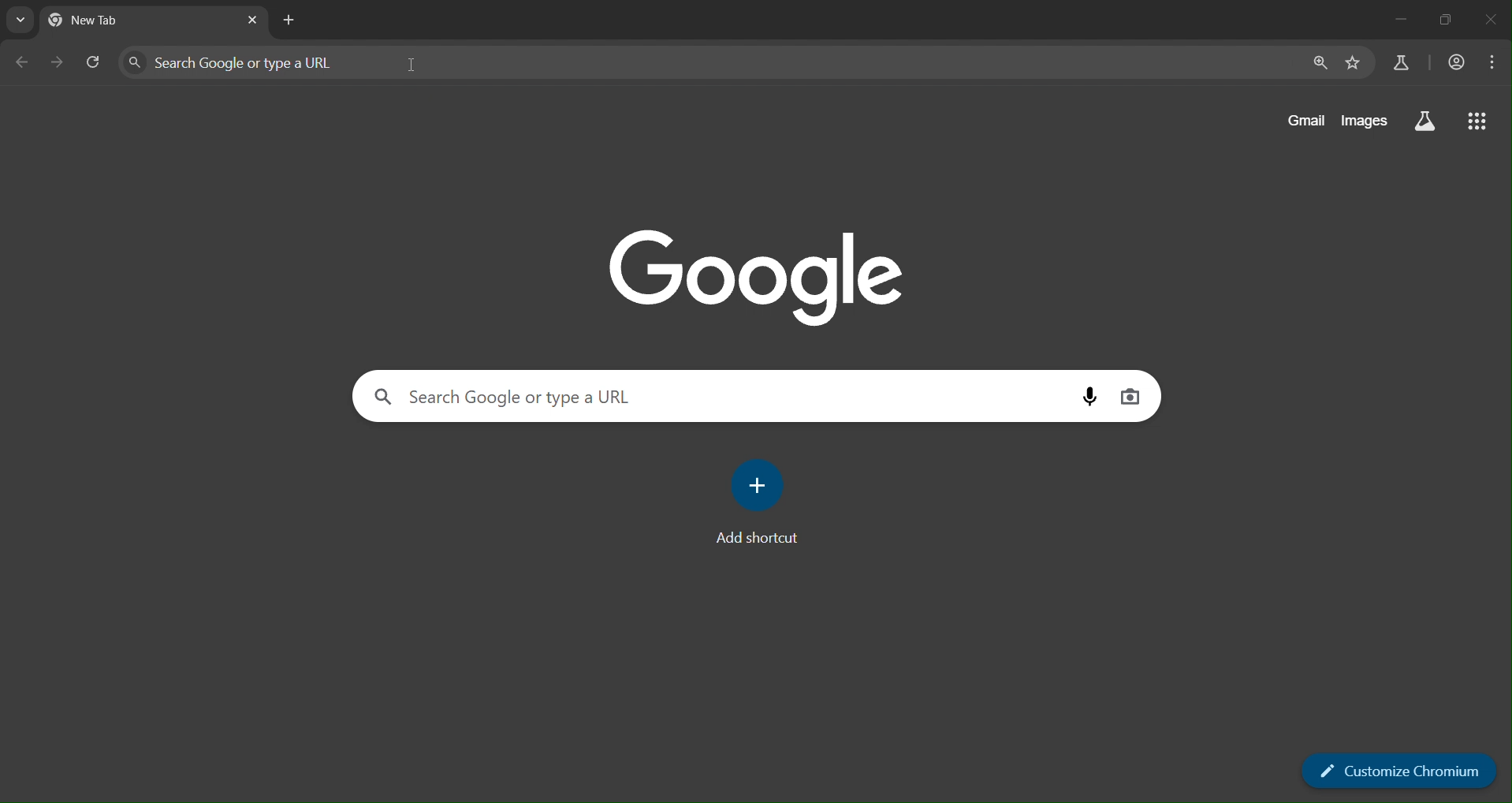 The width and height of the screenshot is (1512, 803). I want to click on go back one page, so click(22, 62).